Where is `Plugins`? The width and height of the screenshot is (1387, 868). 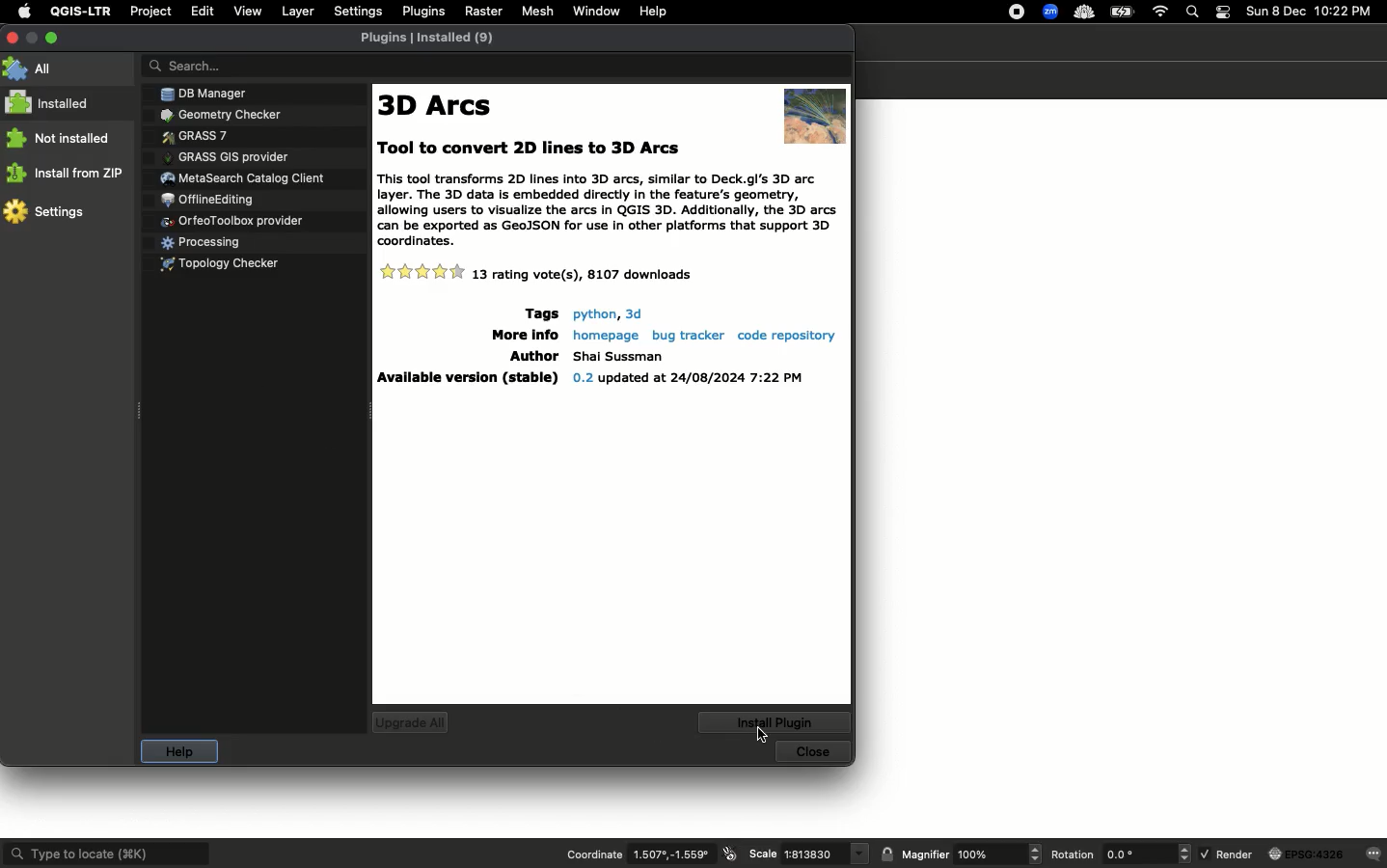
Plugins is located at coordinates (230, 219).